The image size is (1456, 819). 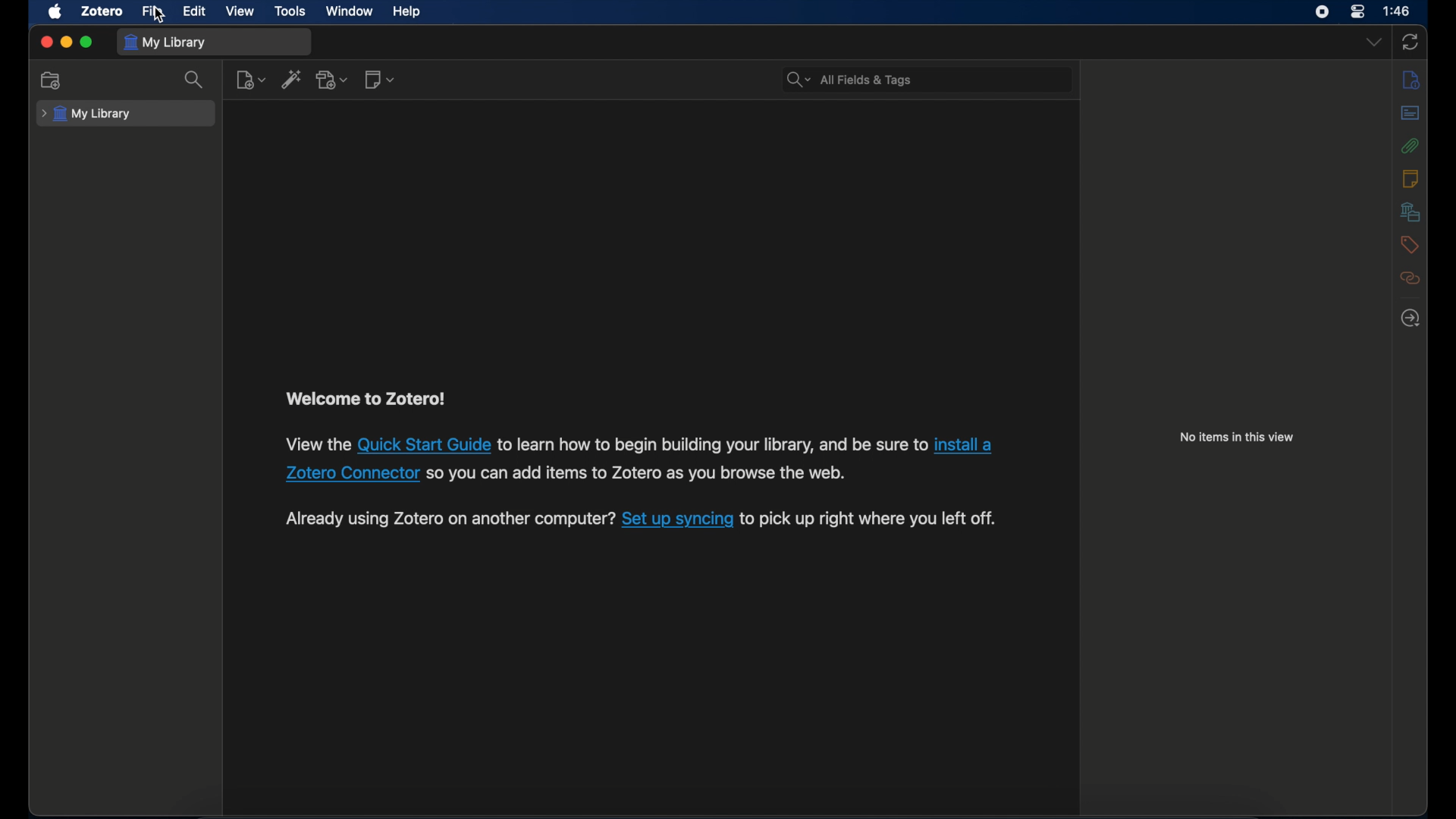 What do you see at coordinates (422, 444) in the screenshot?
I see `` at bounding box center [422, 444].